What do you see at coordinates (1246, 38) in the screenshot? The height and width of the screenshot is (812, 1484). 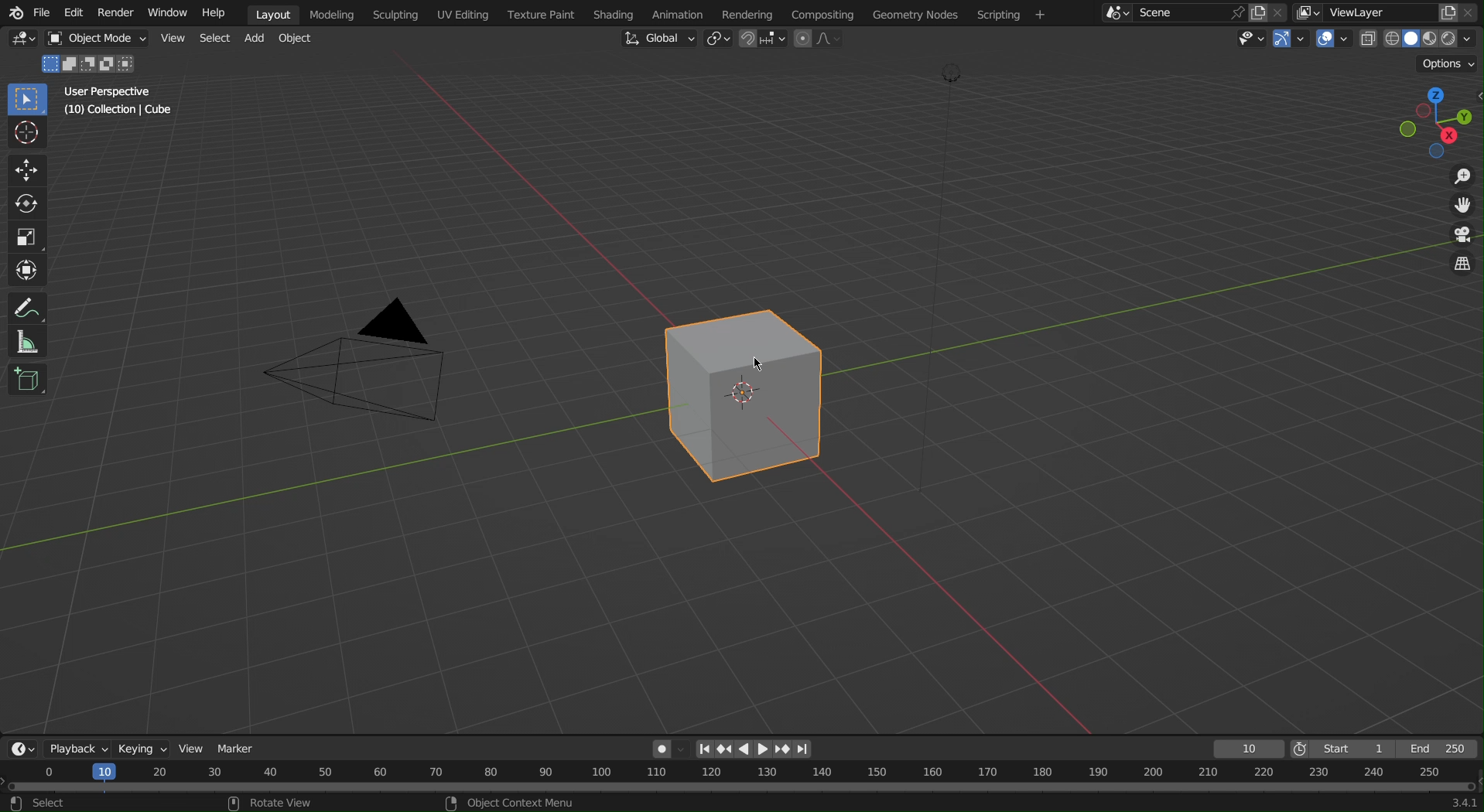 I see `Types of objects` at bounding box center [1246, 38].